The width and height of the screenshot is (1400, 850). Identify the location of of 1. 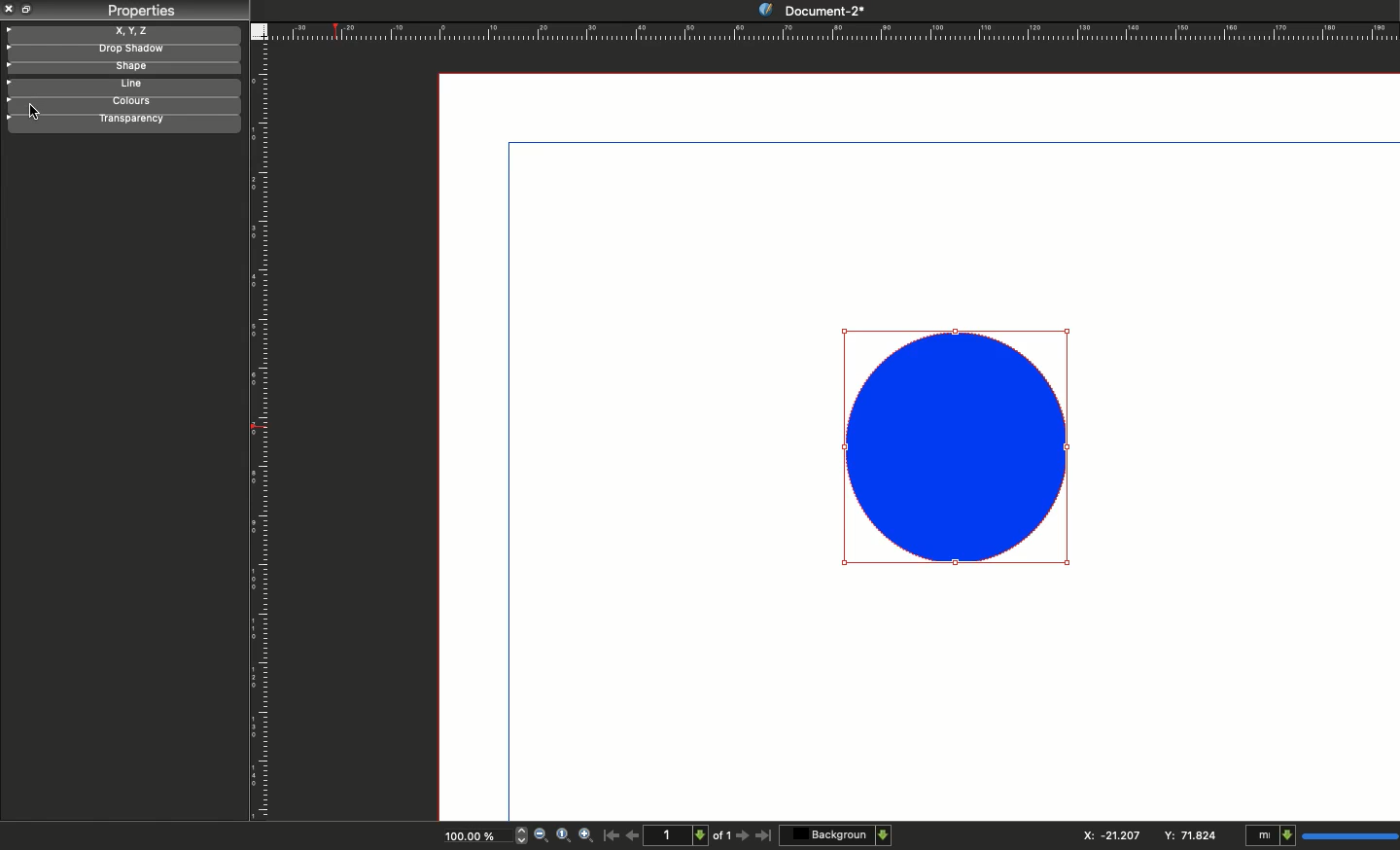
(722, 838).